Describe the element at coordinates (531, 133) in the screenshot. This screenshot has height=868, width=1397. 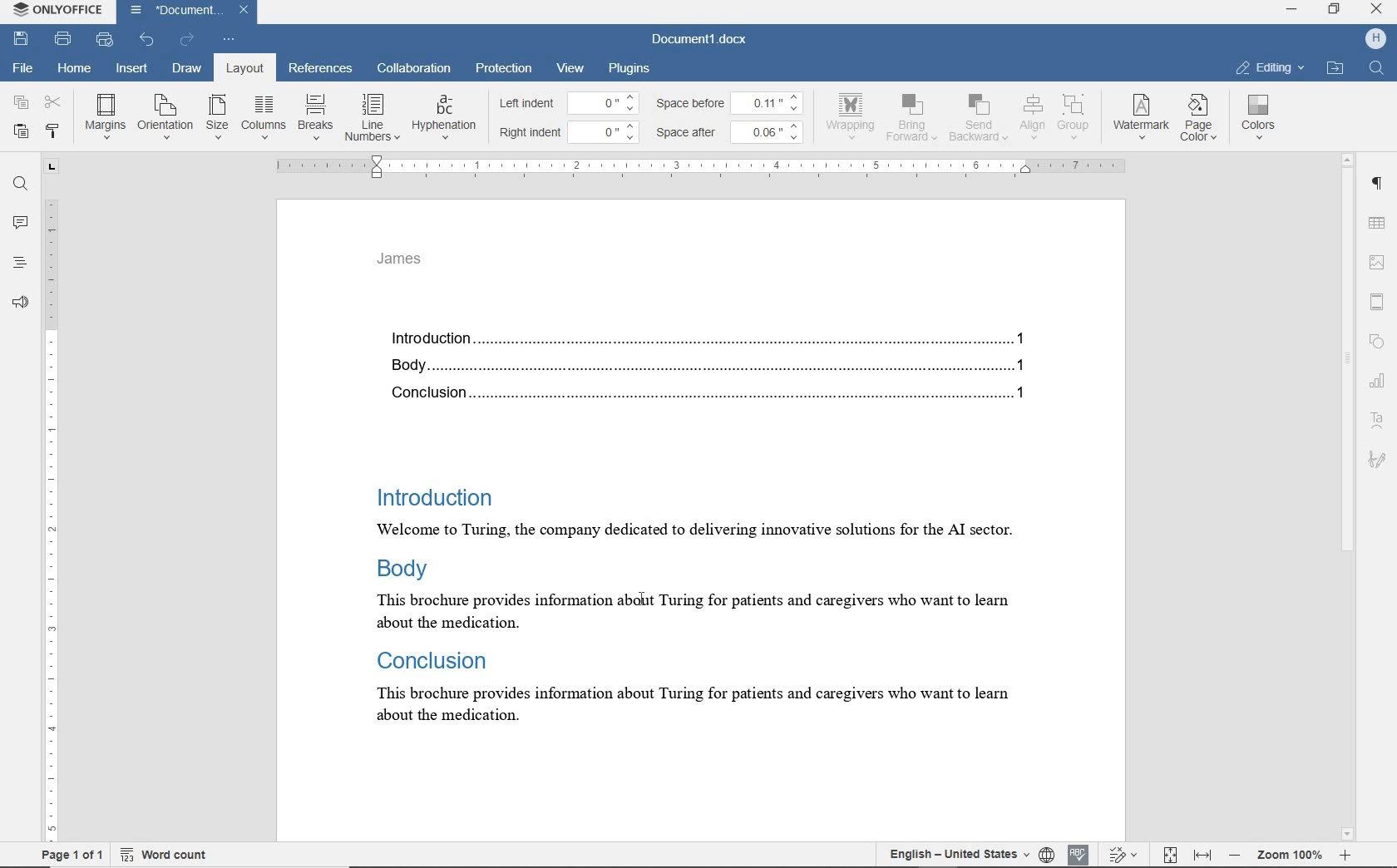
I see `right indent` at that location.